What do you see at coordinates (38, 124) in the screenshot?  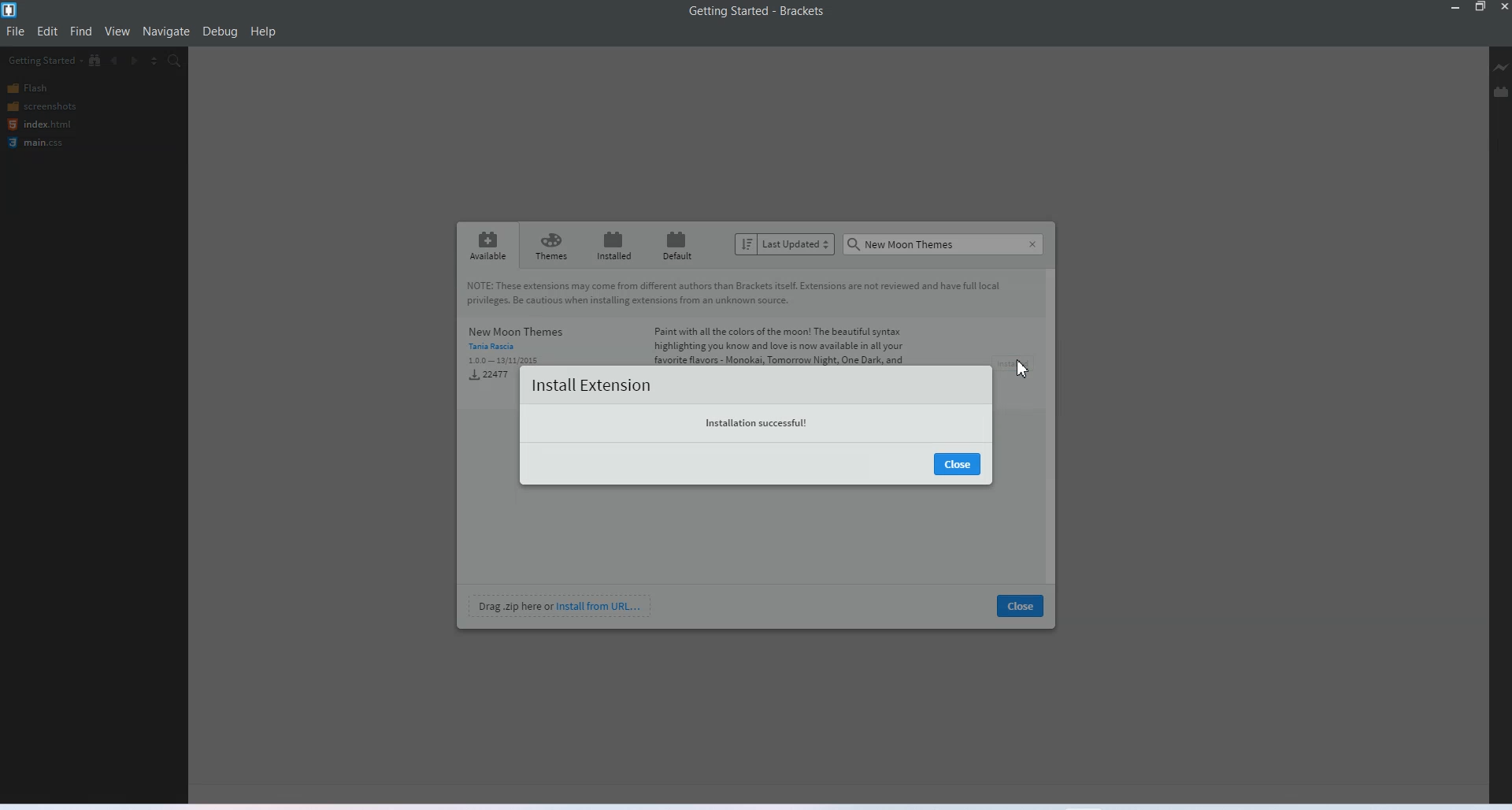 I see `index.html` at bounding box center [38, 124].